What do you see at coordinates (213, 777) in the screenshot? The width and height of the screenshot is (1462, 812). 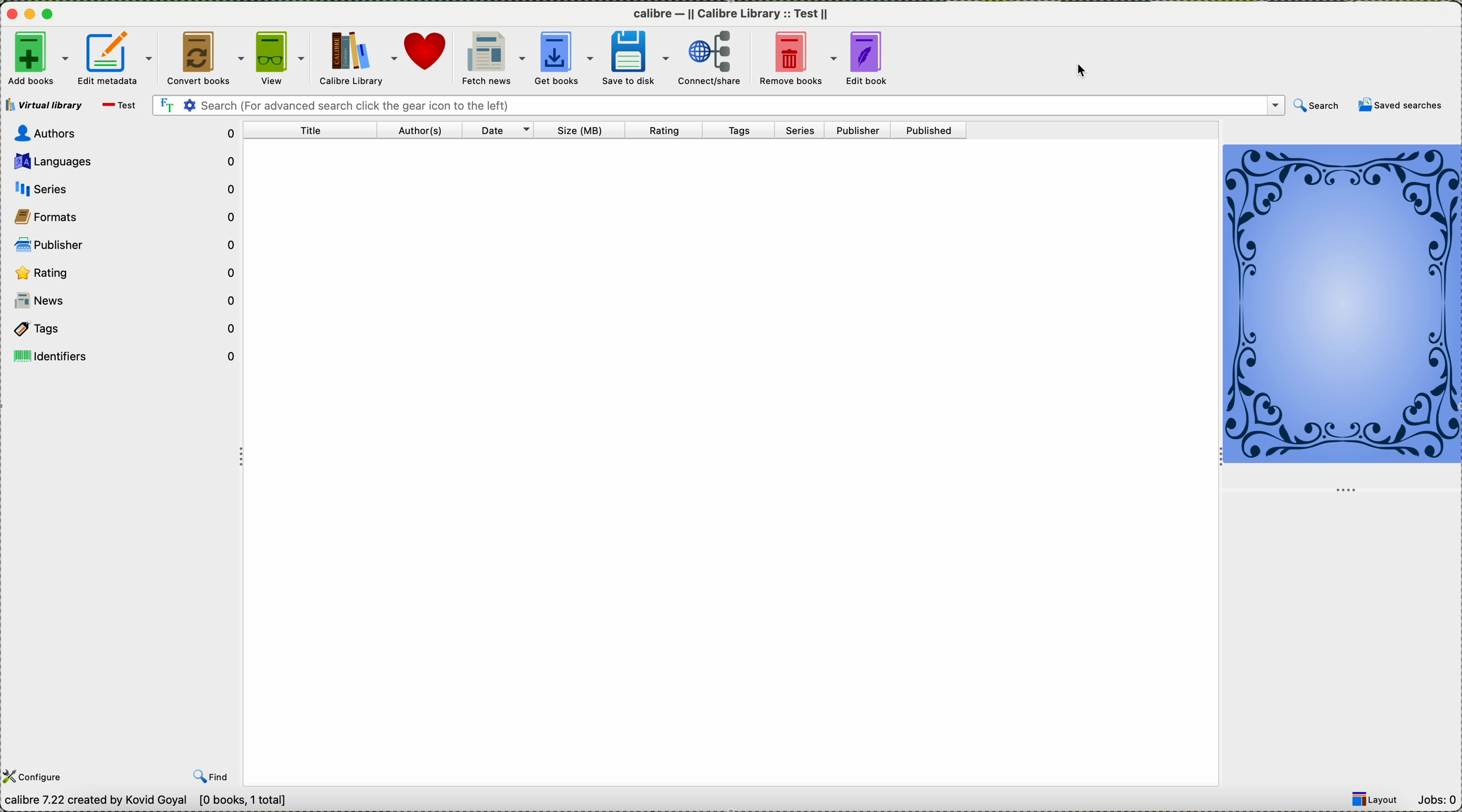 I see `find` at bounding box center [213, 777].